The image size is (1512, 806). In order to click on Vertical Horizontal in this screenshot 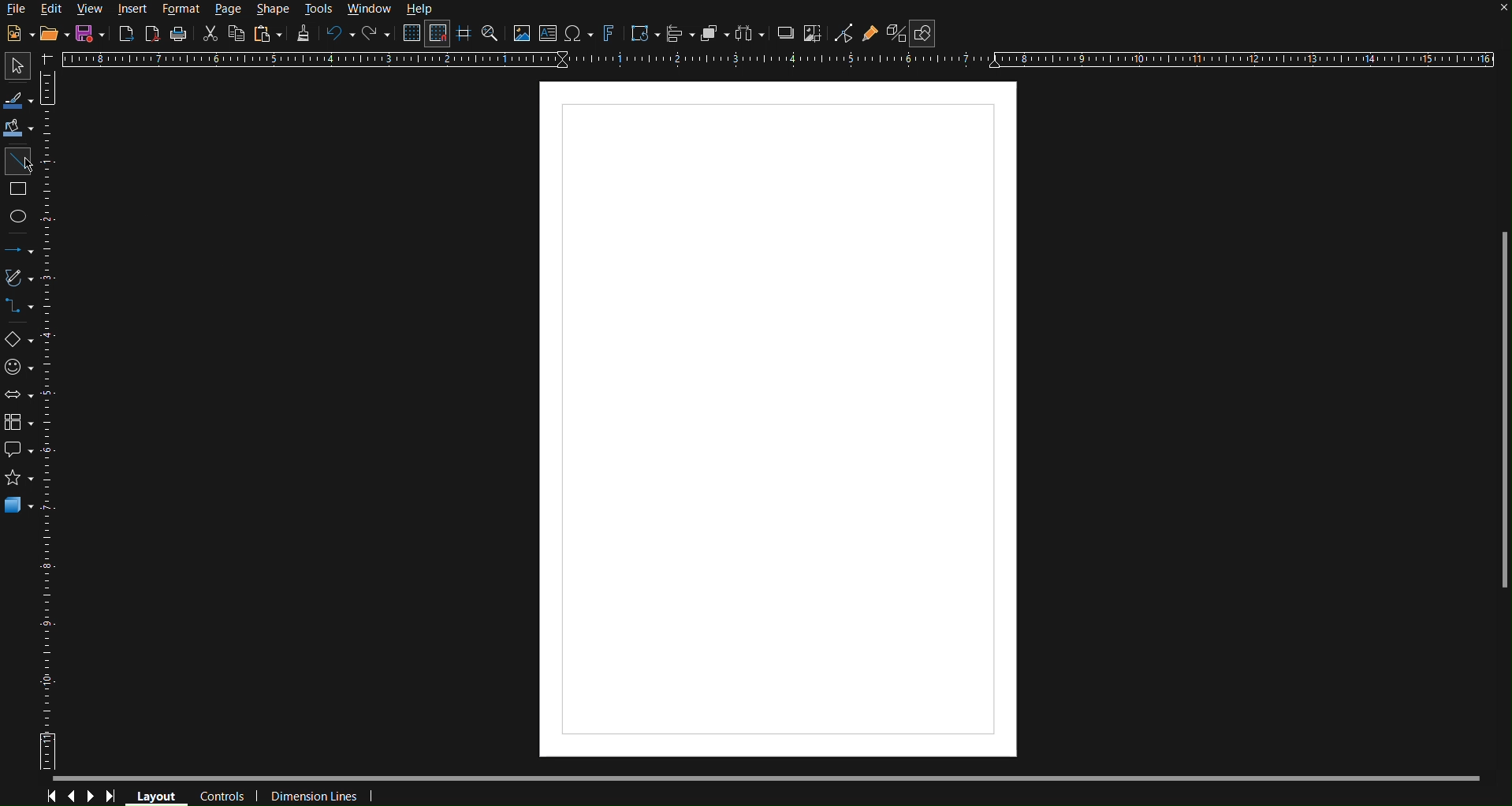, I will do `click(51, 421)`.